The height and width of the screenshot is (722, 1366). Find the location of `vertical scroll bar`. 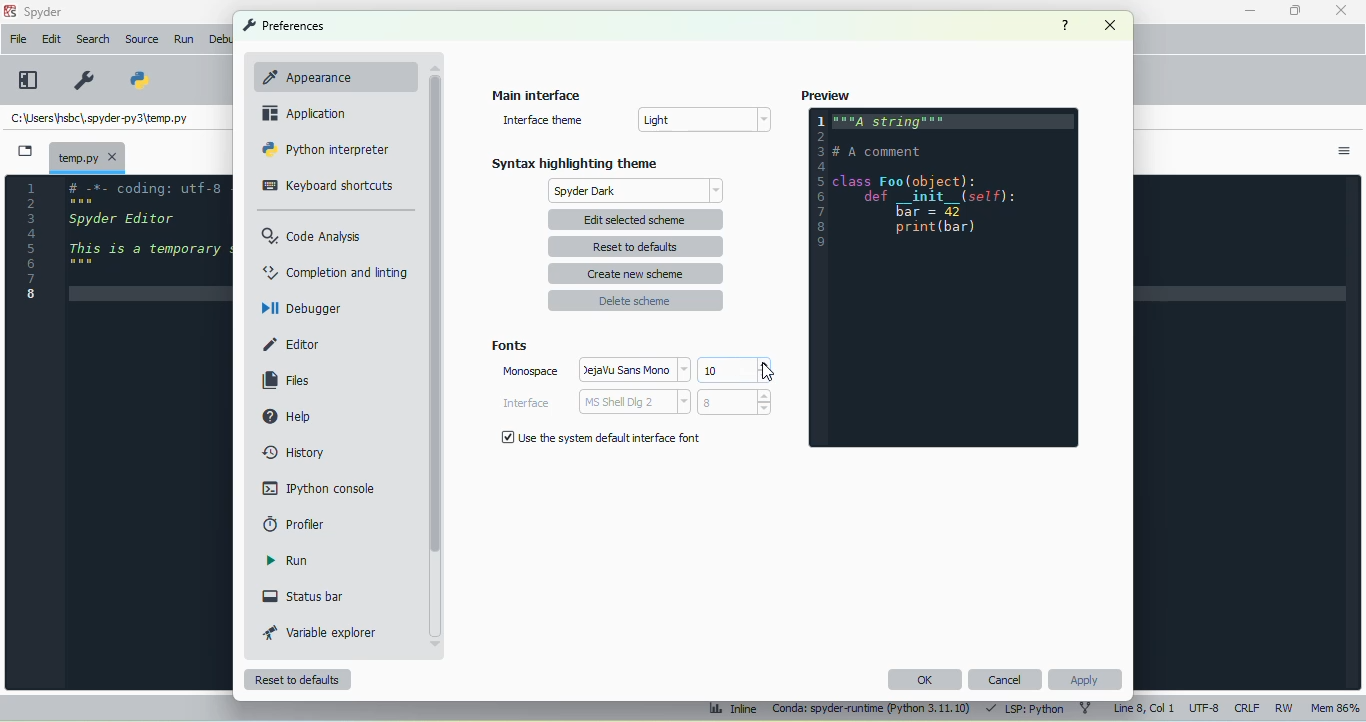

vertical scroll bar is located at coordinates (435, 315).